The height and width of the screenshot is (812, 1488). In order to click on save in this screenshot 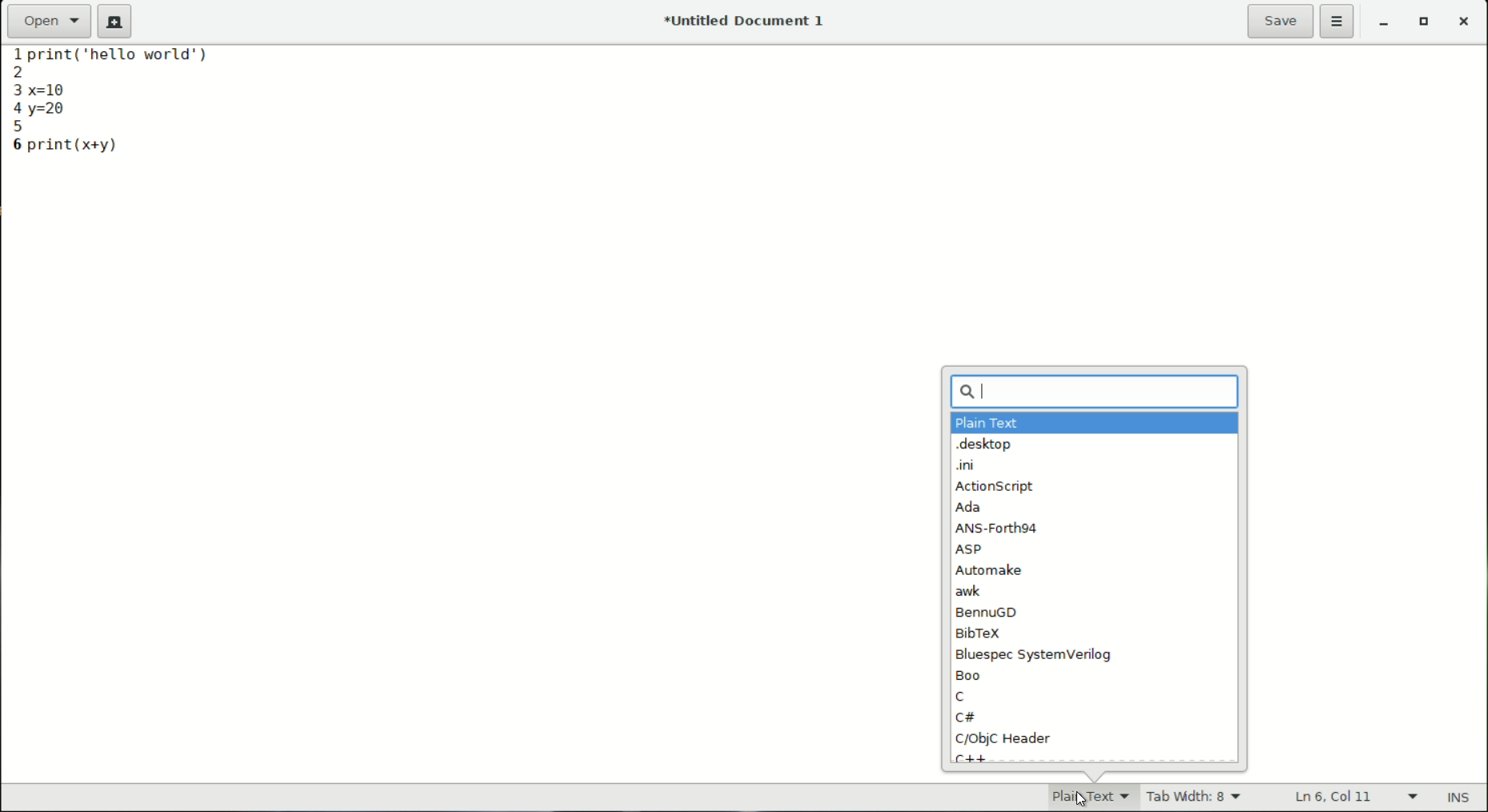, I will do `click(1281, 21)`.